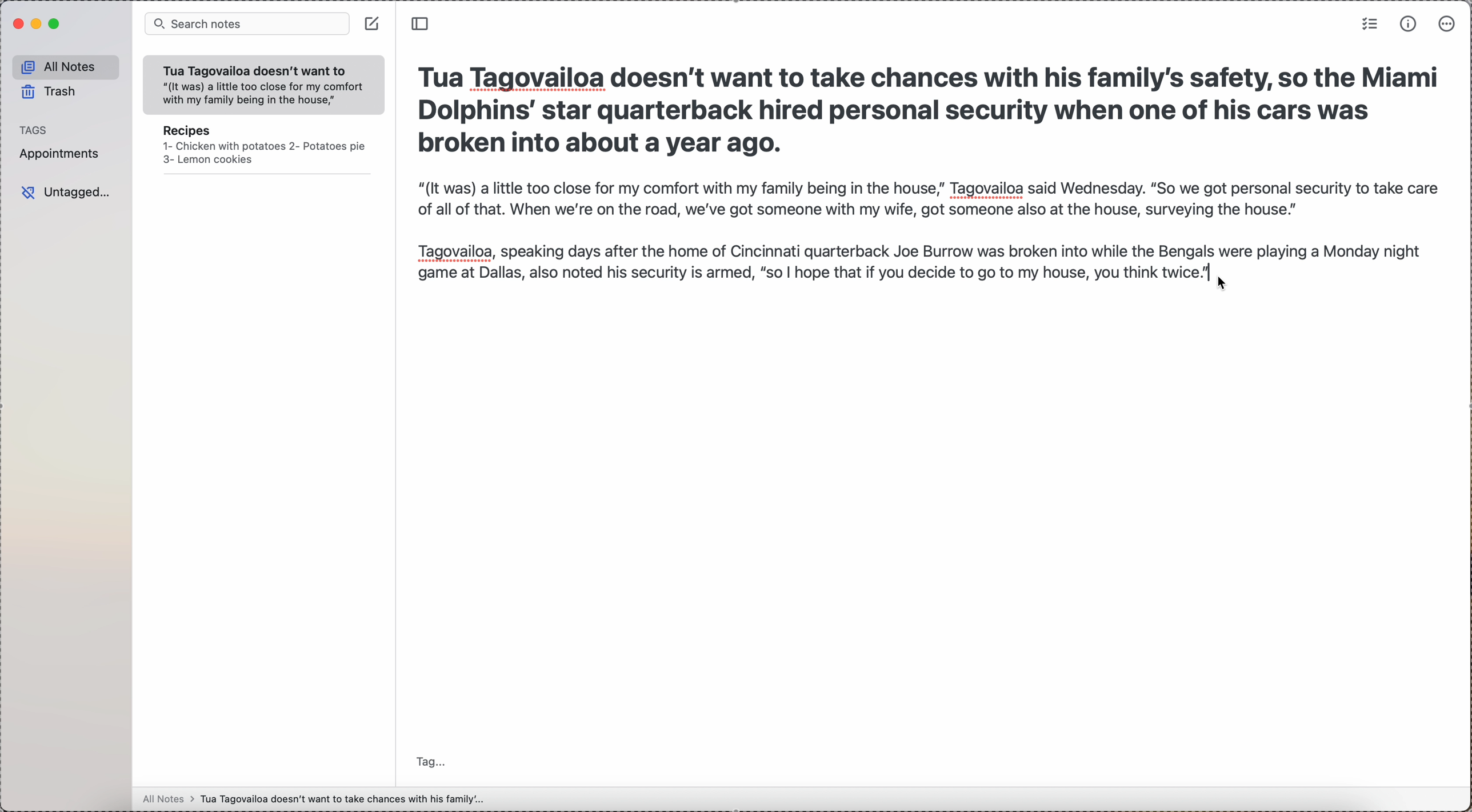 This screenshot has width=1472, height=812. Describe the element at coordinates (422, 25) in the screenshot. I see `toggle sidebar` at that location.